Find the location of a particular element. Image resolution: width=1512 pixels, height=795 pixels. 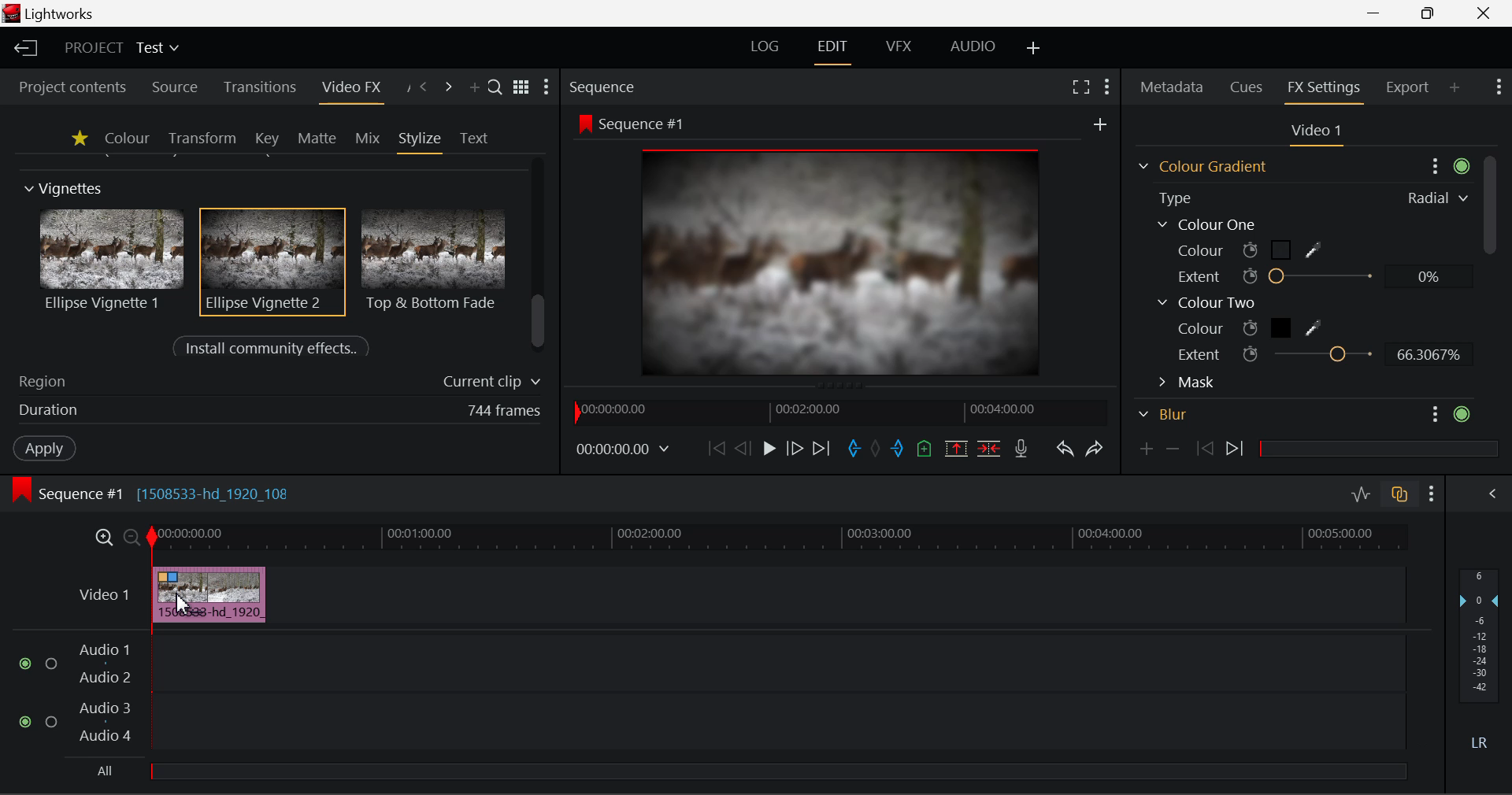

Sequence #1 Edit Timeline is located at coordinates (157, 492).